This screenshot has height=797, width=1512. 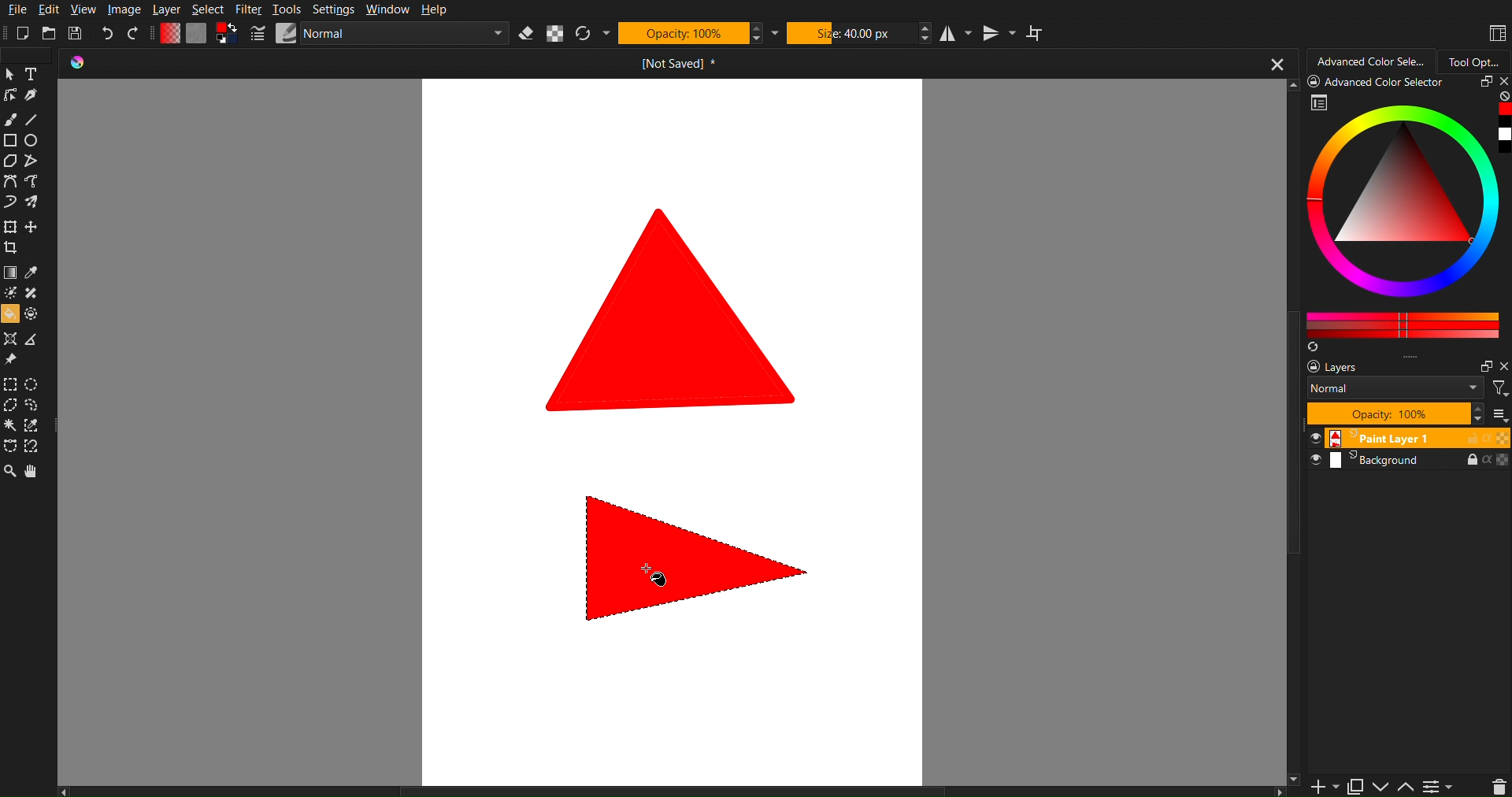 What do you see at coordinates (9, 293) in the screenshot?
I see `Brightness` at bounding box center [9, 293].